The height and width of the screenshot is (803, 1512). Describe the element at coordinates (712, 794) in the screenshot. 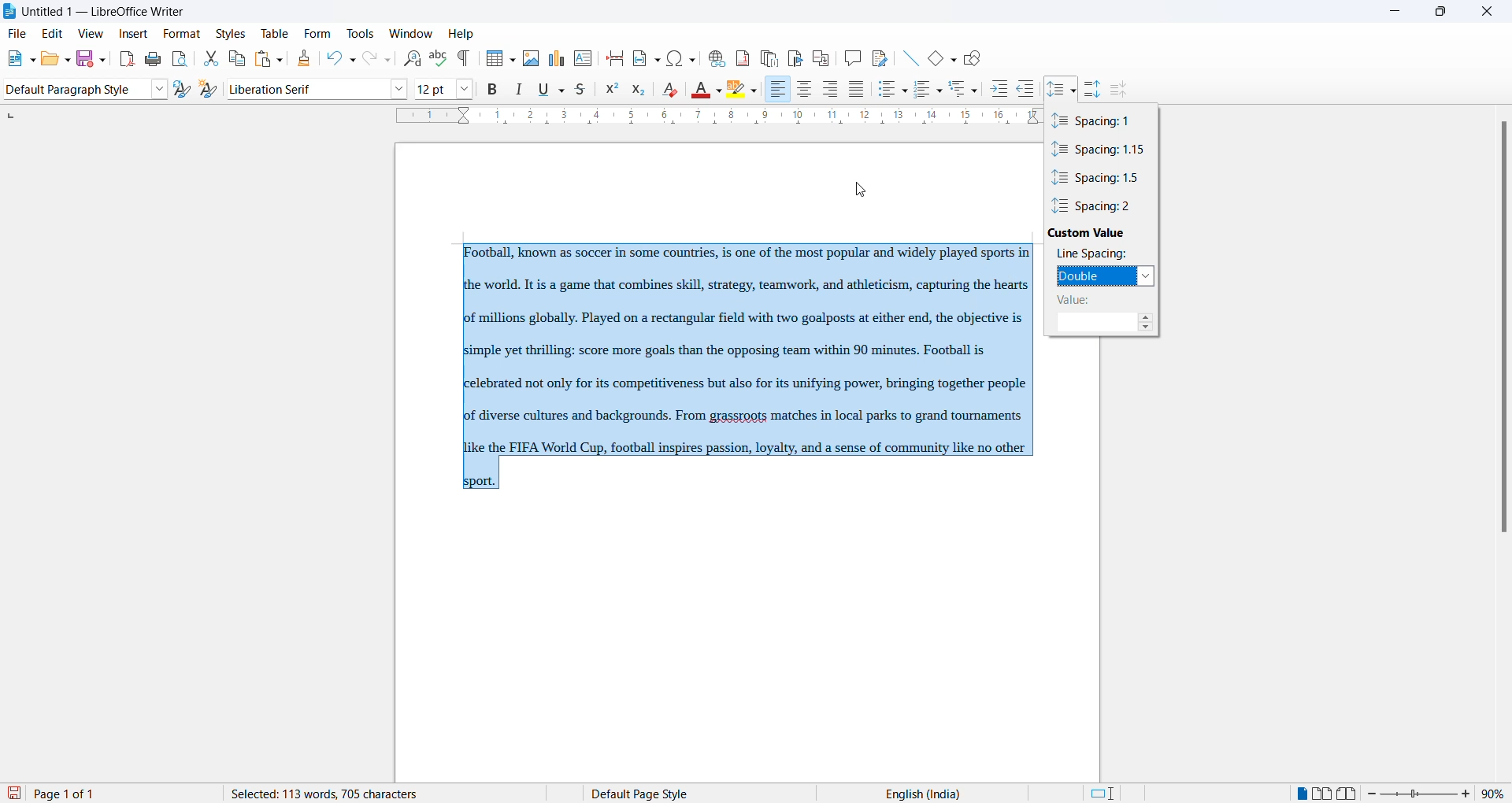

I see `page style` at that location.